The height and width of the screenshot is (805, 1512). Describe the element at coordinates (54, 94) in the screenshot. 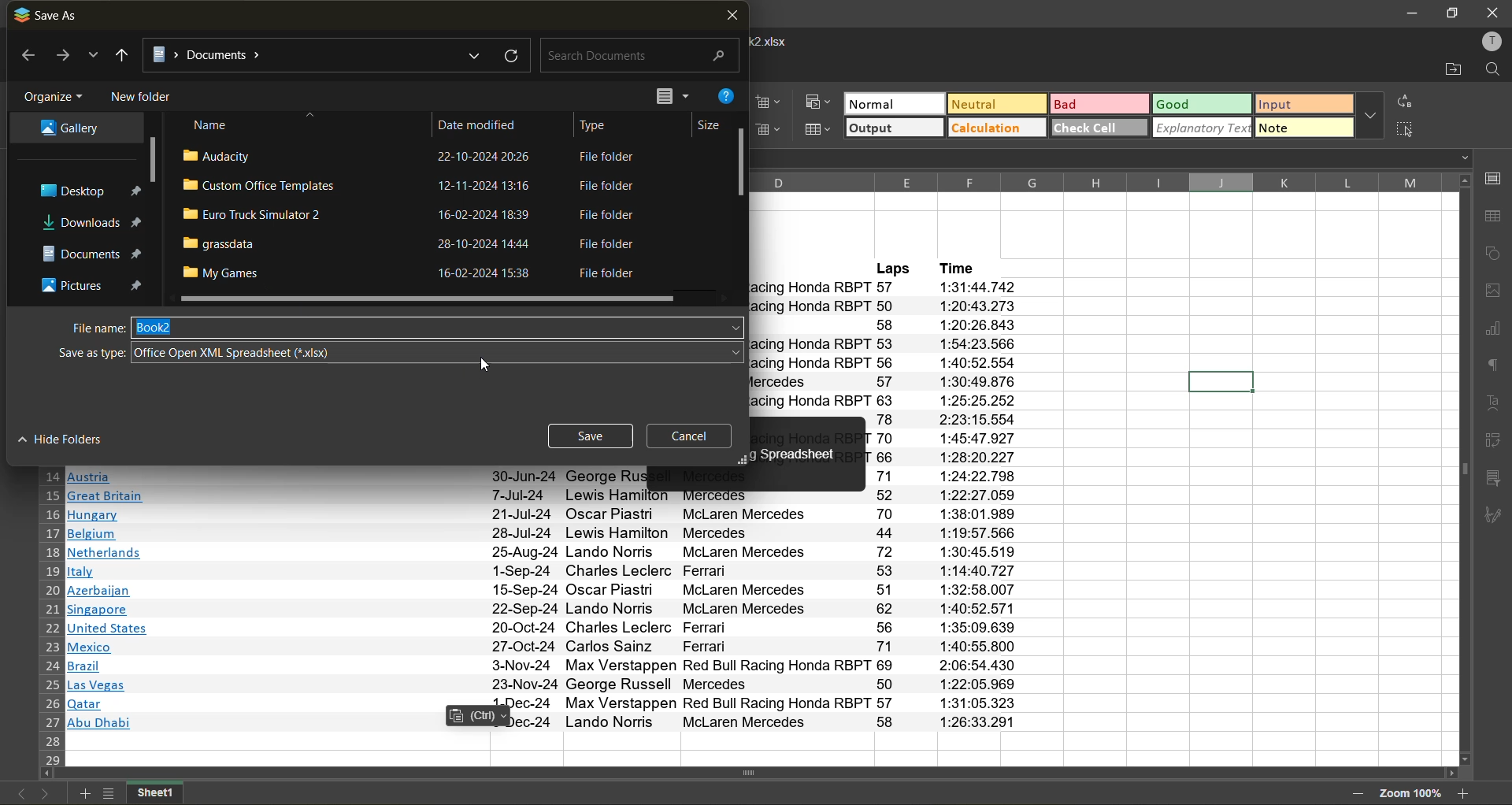

I see `organize` at that location.